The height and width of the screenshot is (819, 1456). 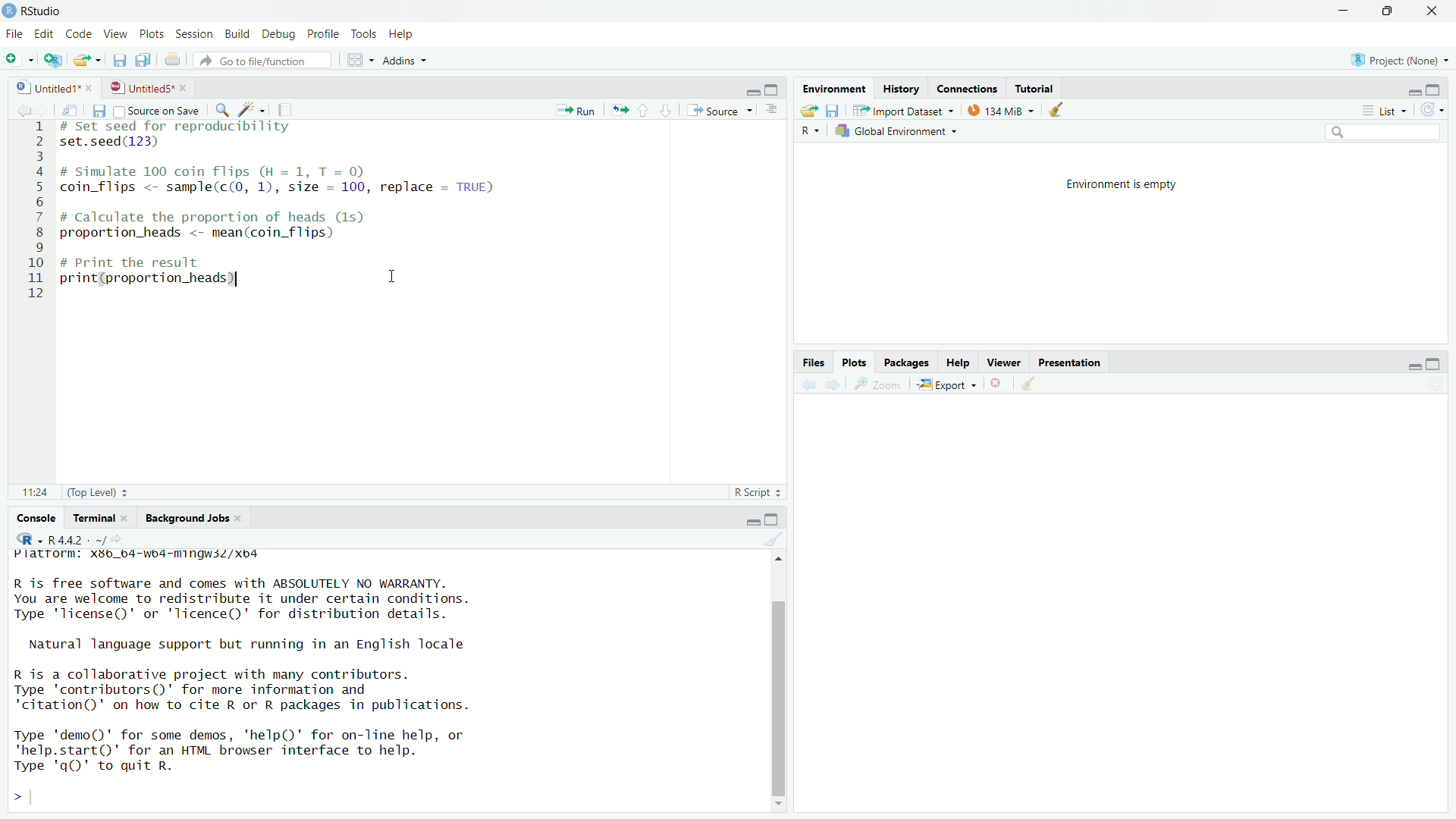 What do you see at coordinates (364, 33) in the screenshot?
I see `tools` at bounding box center [364, 33].